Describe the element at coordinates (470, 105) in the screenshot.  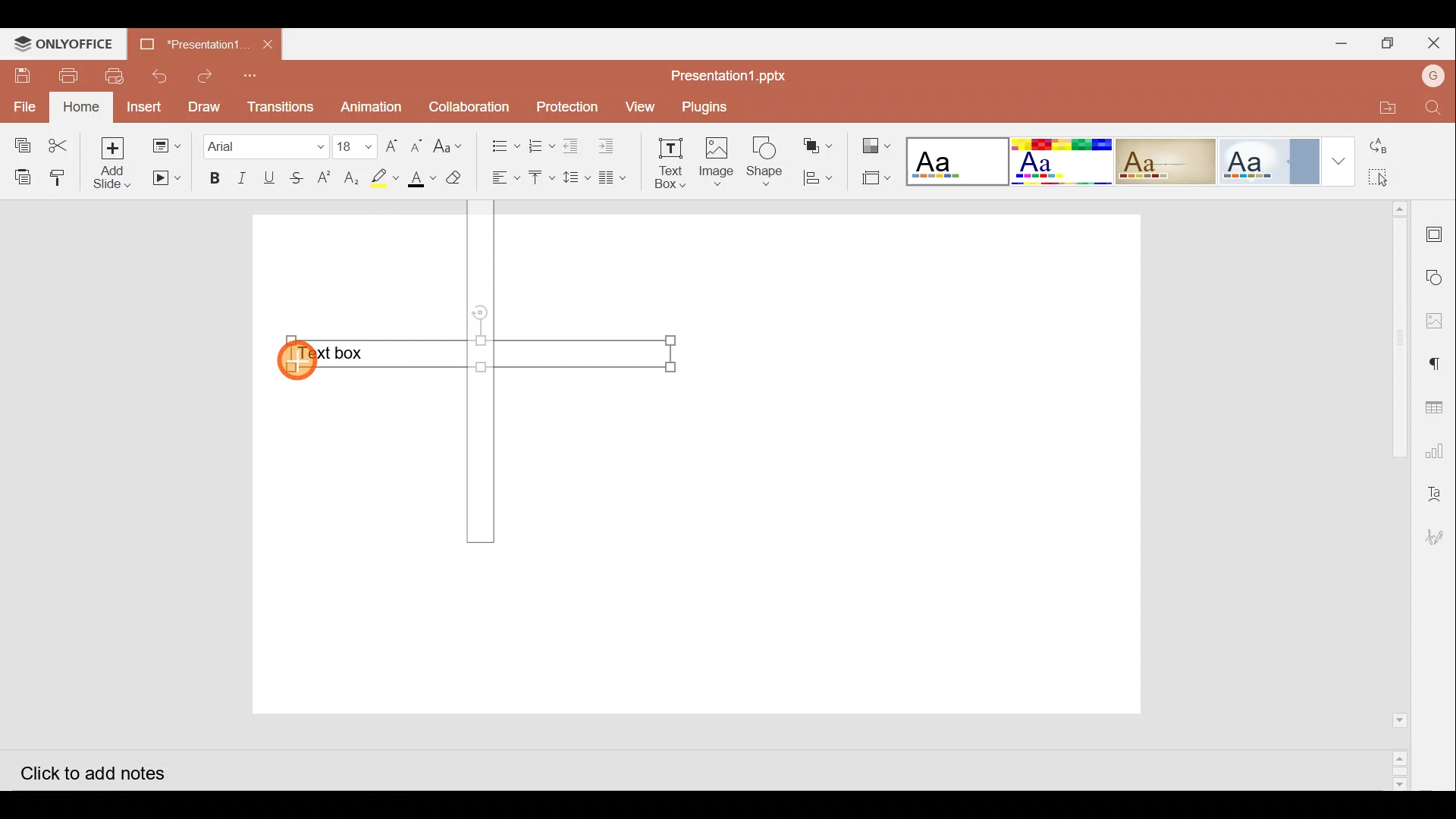
I see `Collaboration` at that location.